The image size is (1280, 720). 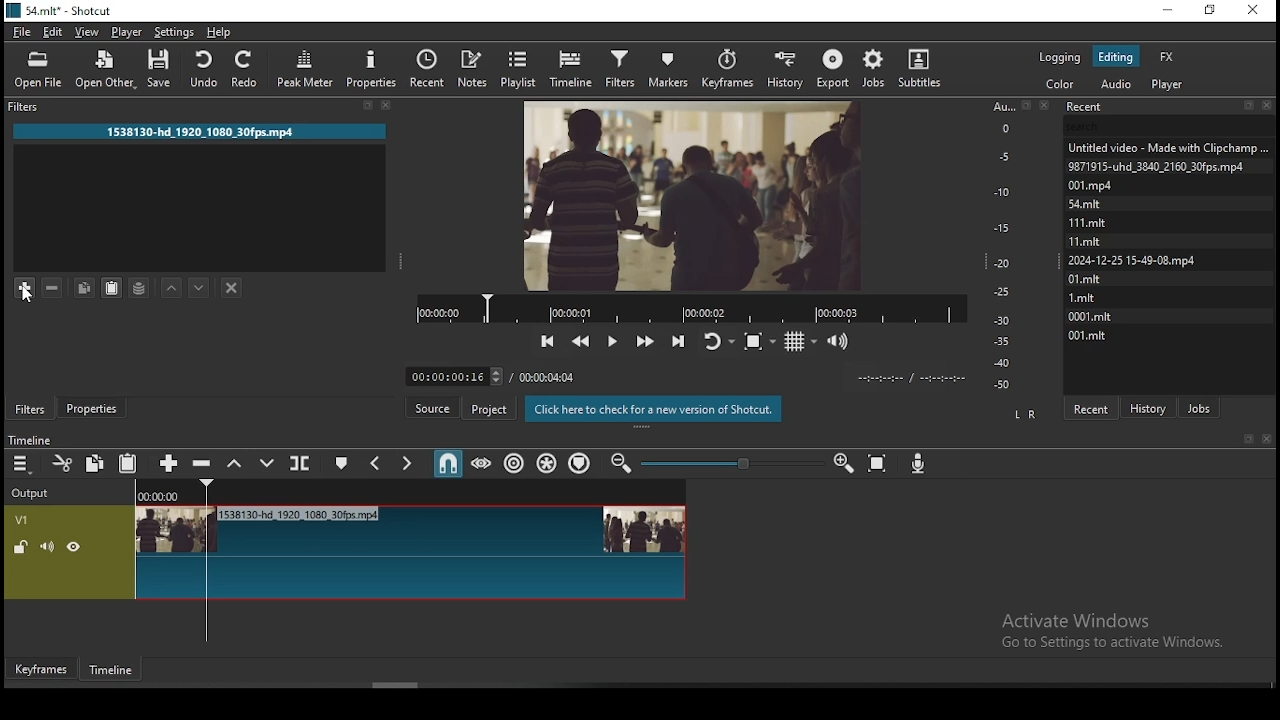 What do you see at coordinates (219, 31) in the screenshot?
I see `help` at bounding box center [219, 31].